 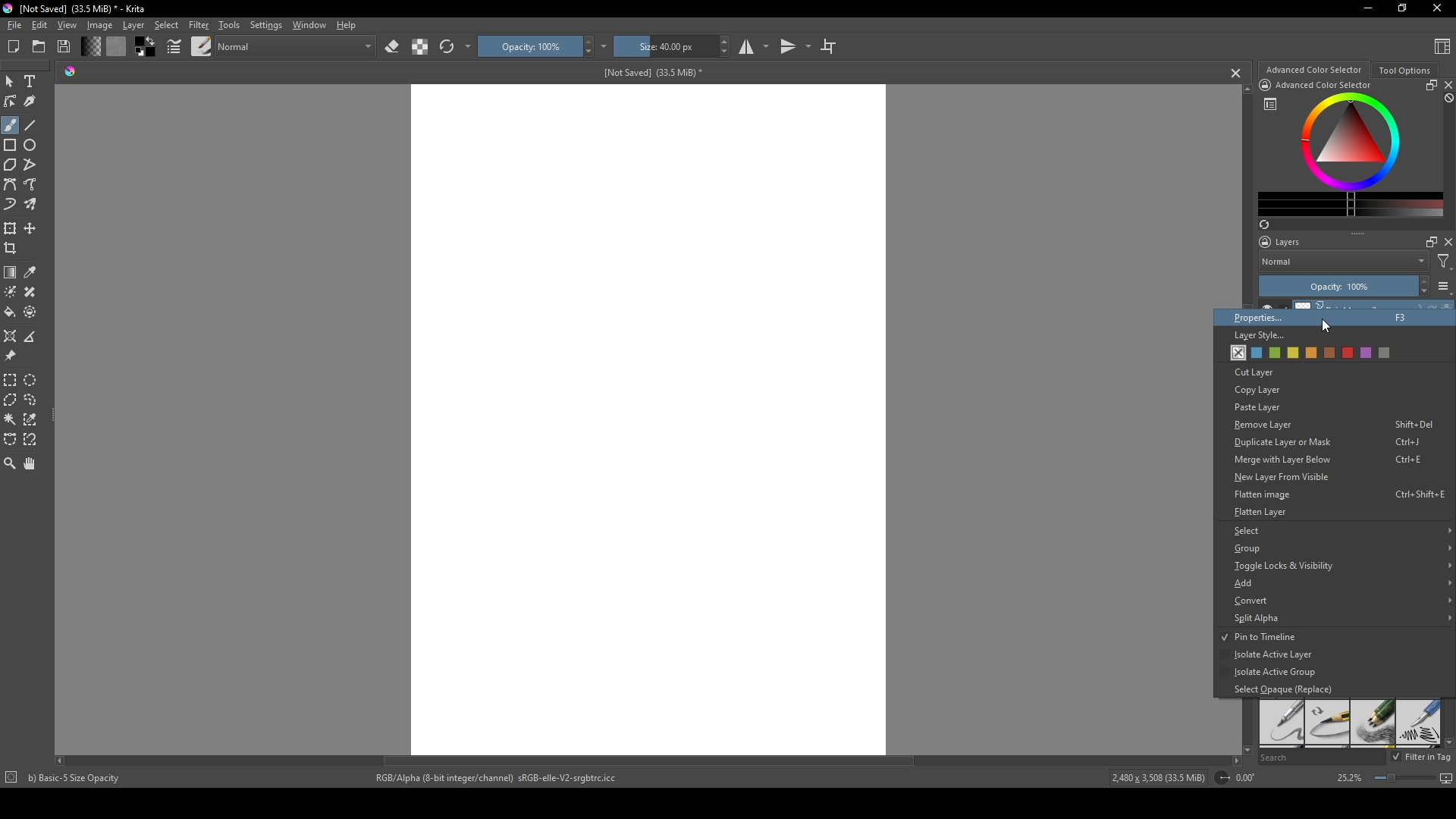 I want to click on purple, so click(x=1367, y=353).